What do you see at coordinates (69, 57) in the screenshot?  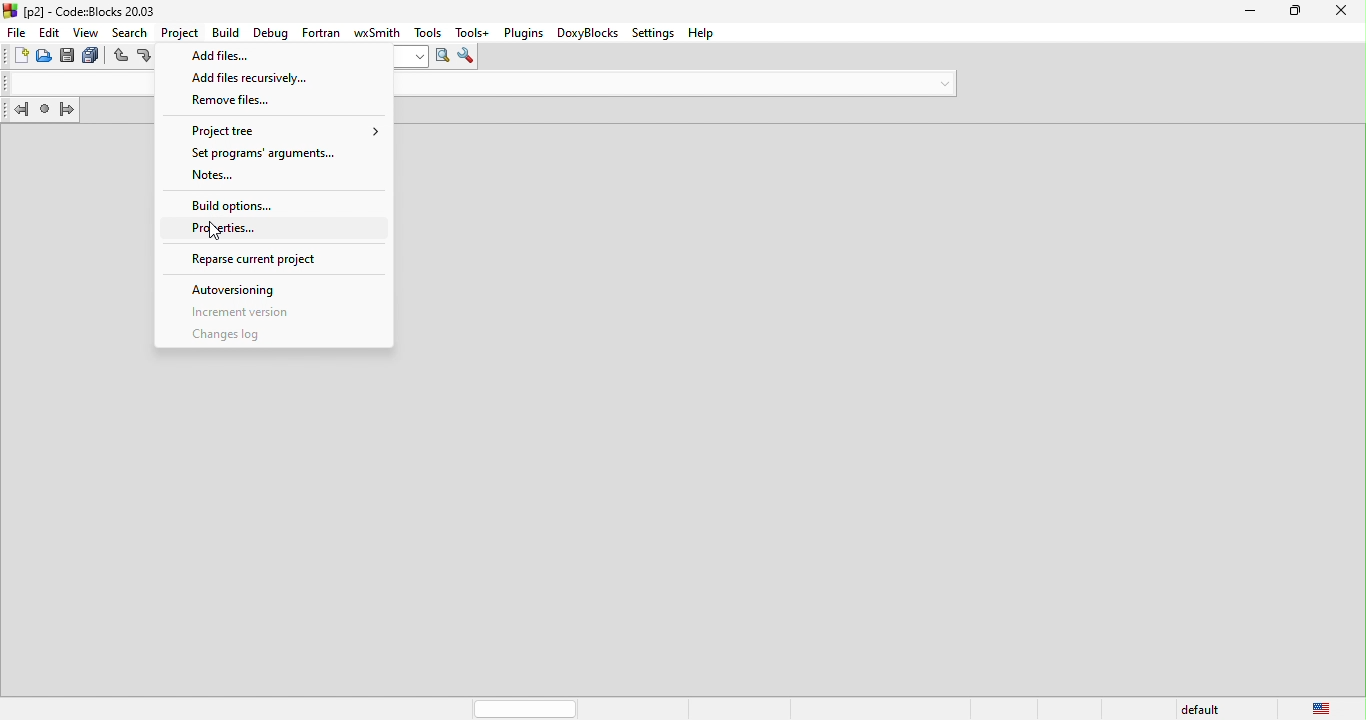 I see `save` at bounding box center [69, 57].